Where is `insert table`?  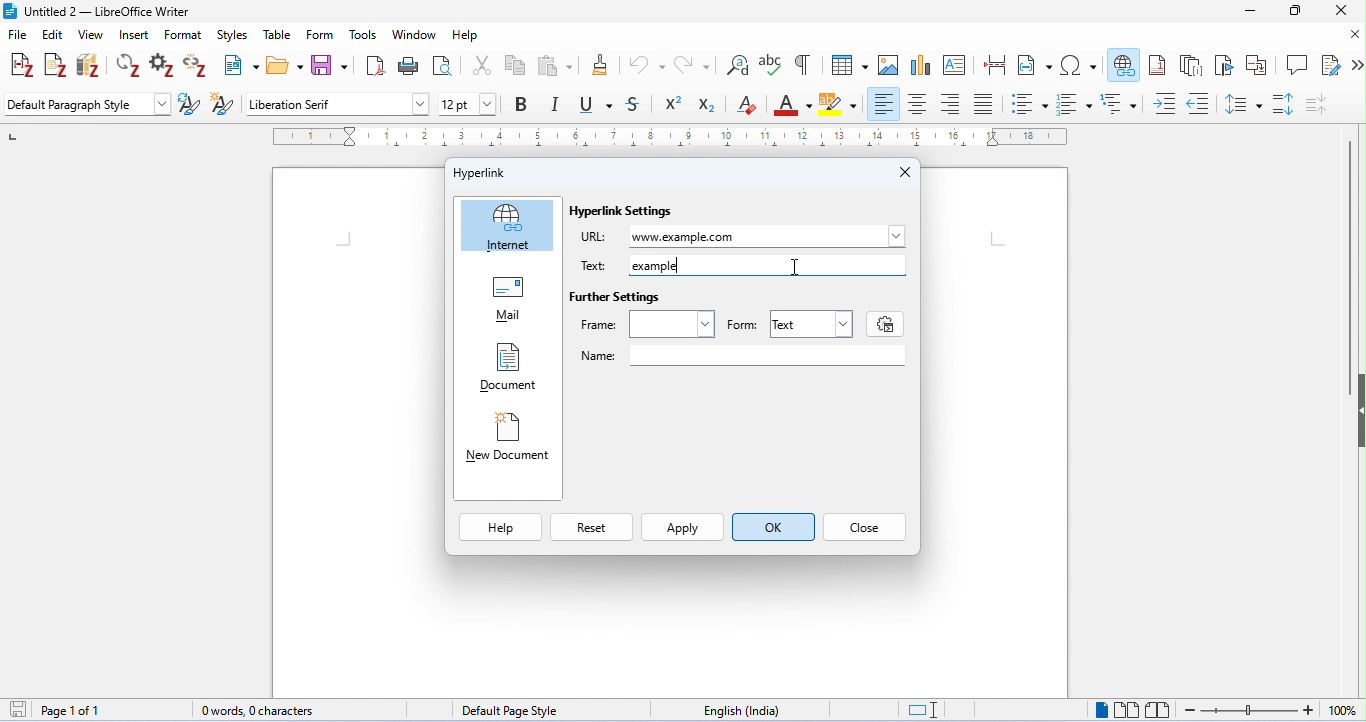
insert table is located at coordinates (849, 63).